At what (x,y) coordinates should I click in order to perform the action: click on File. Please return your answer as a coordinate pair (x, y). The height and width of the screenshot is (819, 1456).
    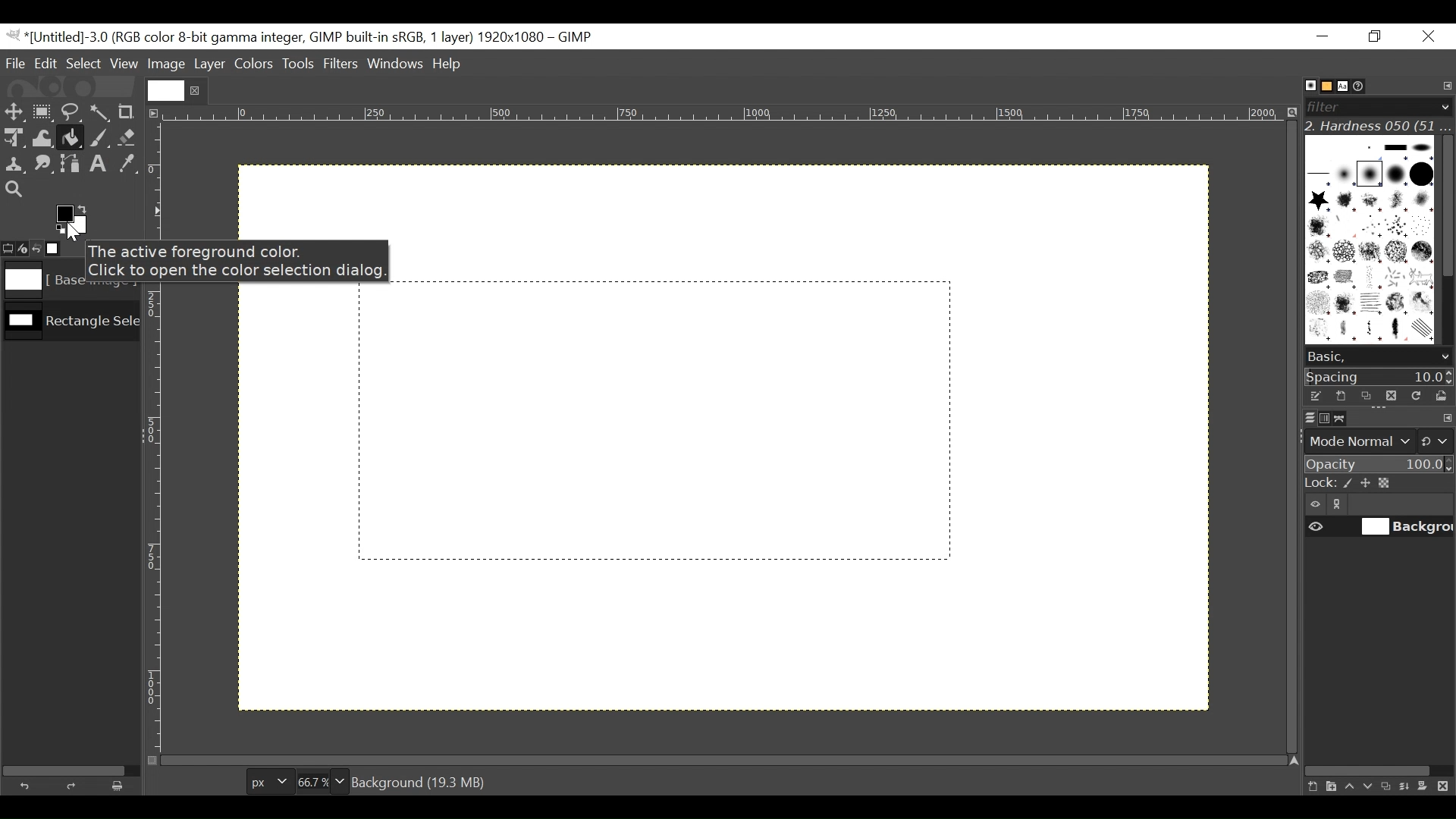
    Looking at the image, I should click on (17, 63).